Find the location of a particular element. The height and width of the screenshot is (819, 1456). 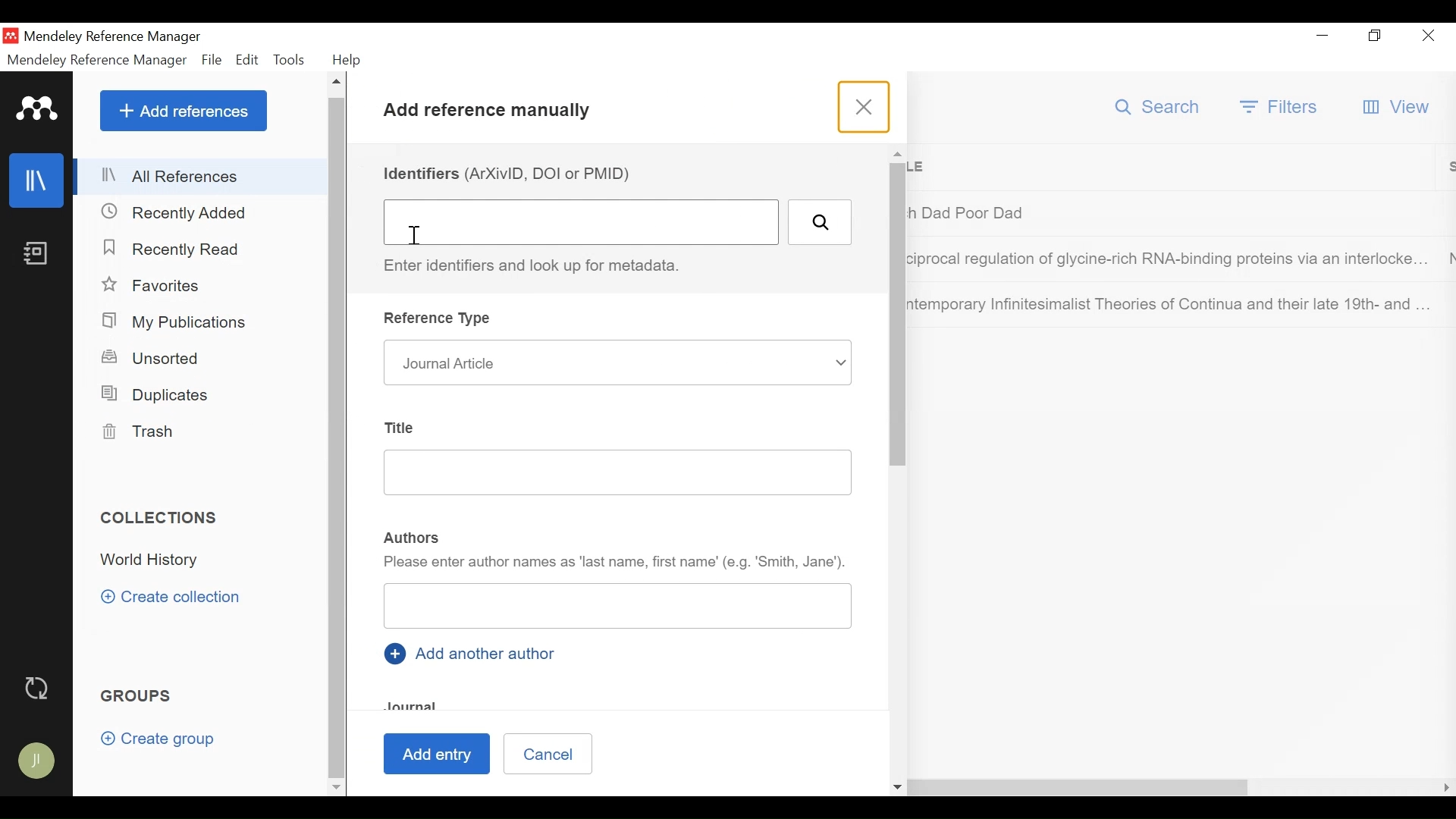

Regulation of lysine rich RNA binding proteins via an interlocke is located at coordinates (1171, 262).